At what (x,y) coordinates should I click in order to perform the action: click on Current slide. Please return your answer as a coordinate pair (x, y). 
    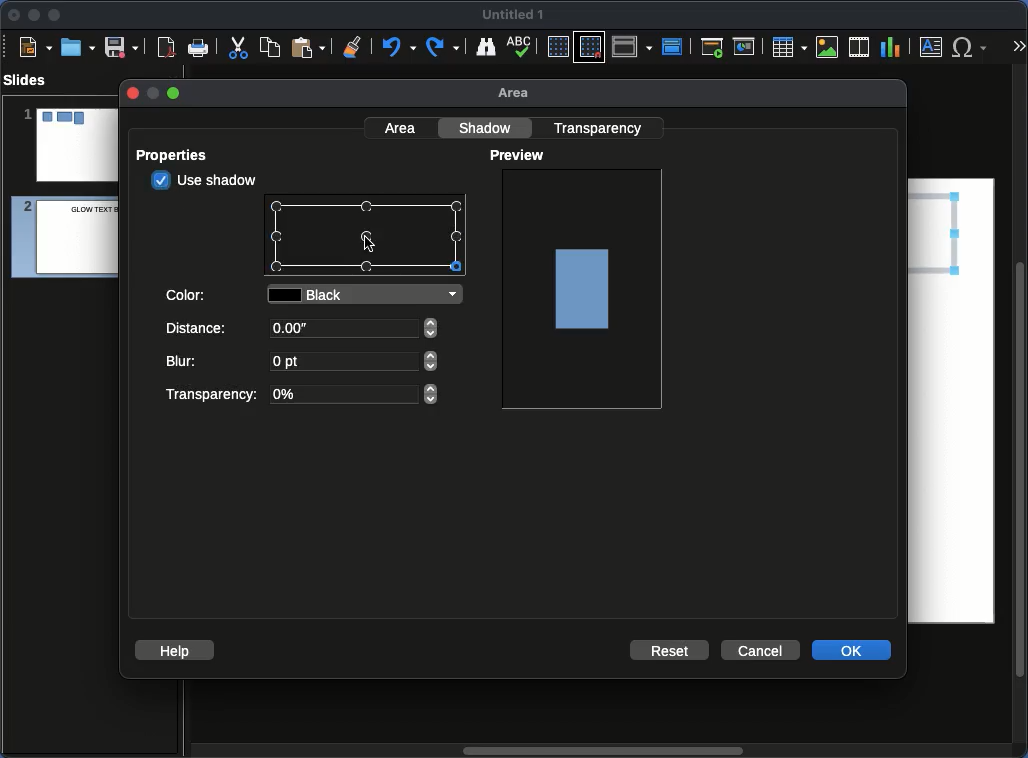
    Looking at the image, I should click on (747, 47).